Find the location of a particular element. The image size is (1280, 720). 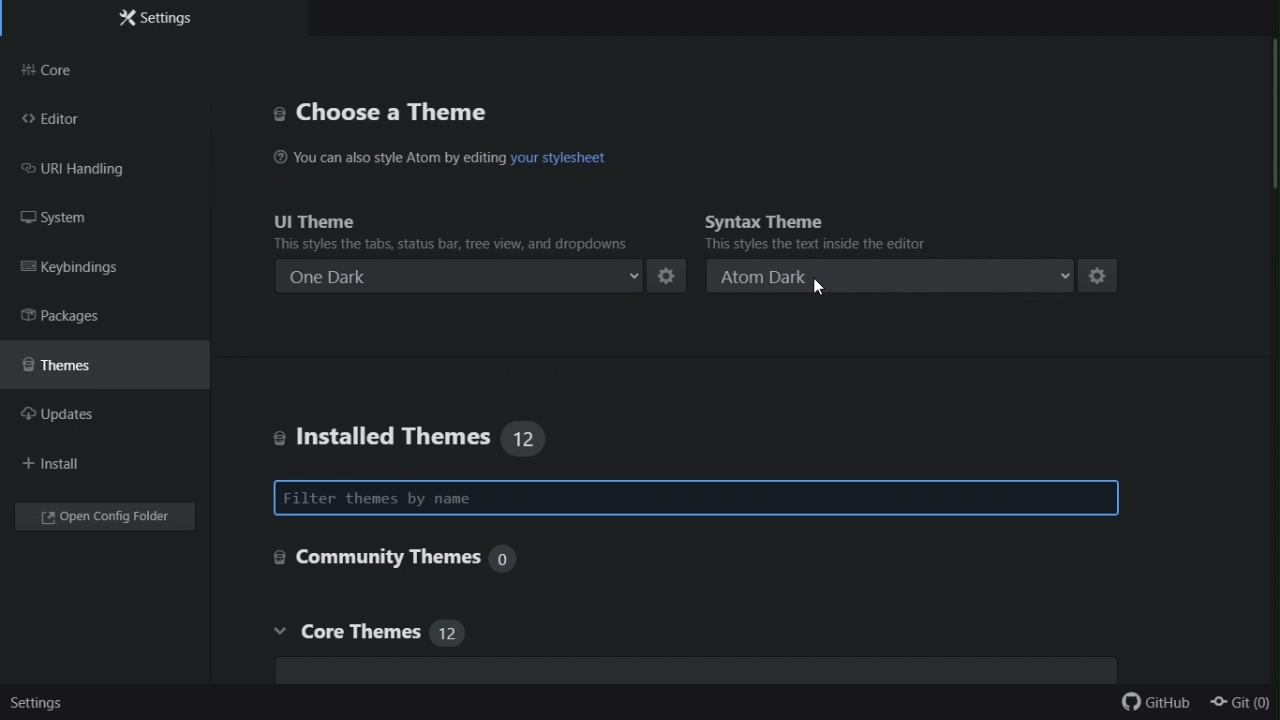

URI handling is located at coordinates (87, 169).